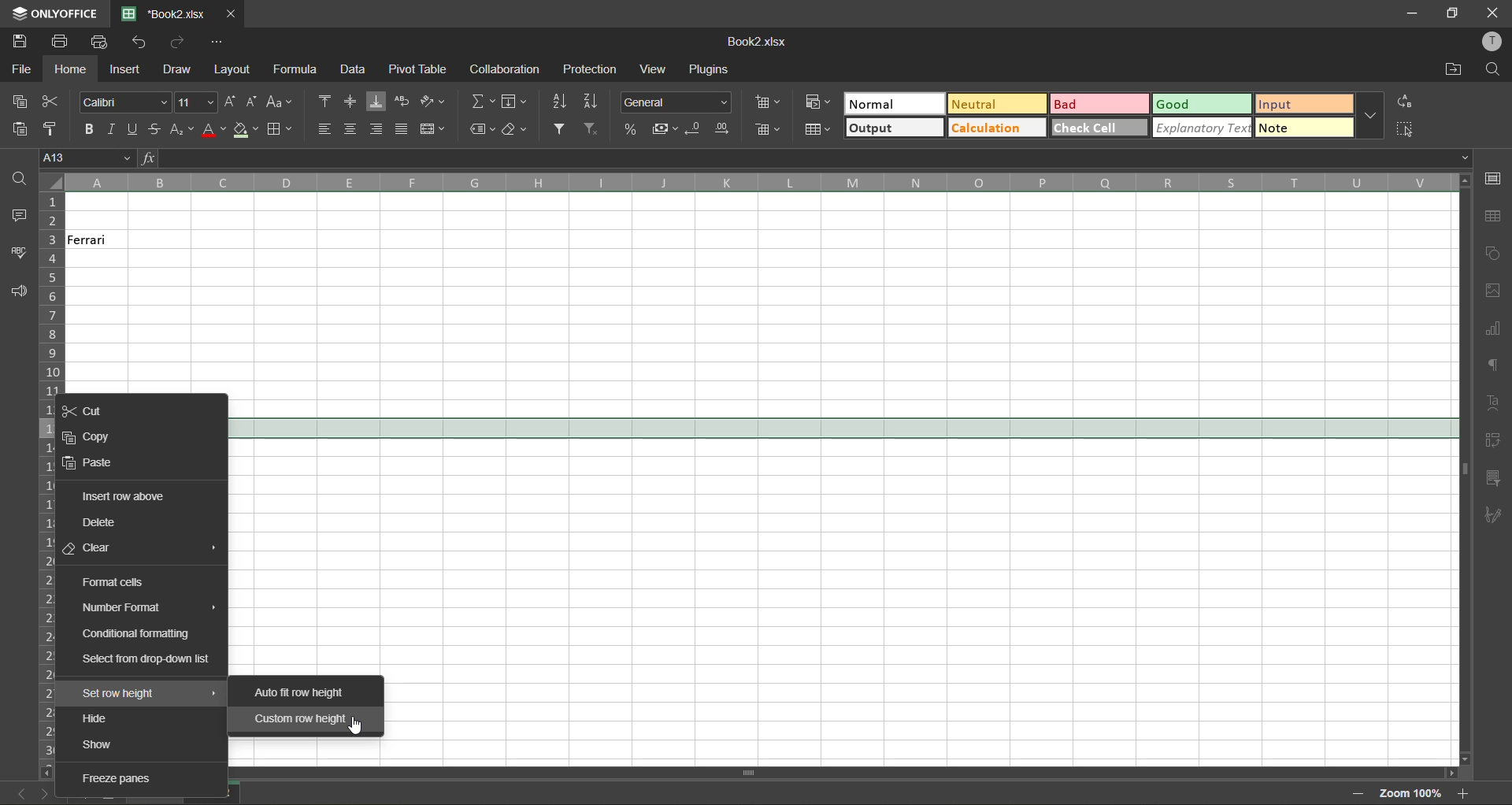  Describe the element at coordinates (95, 719) in the screenshot. I see `hide` at that location.